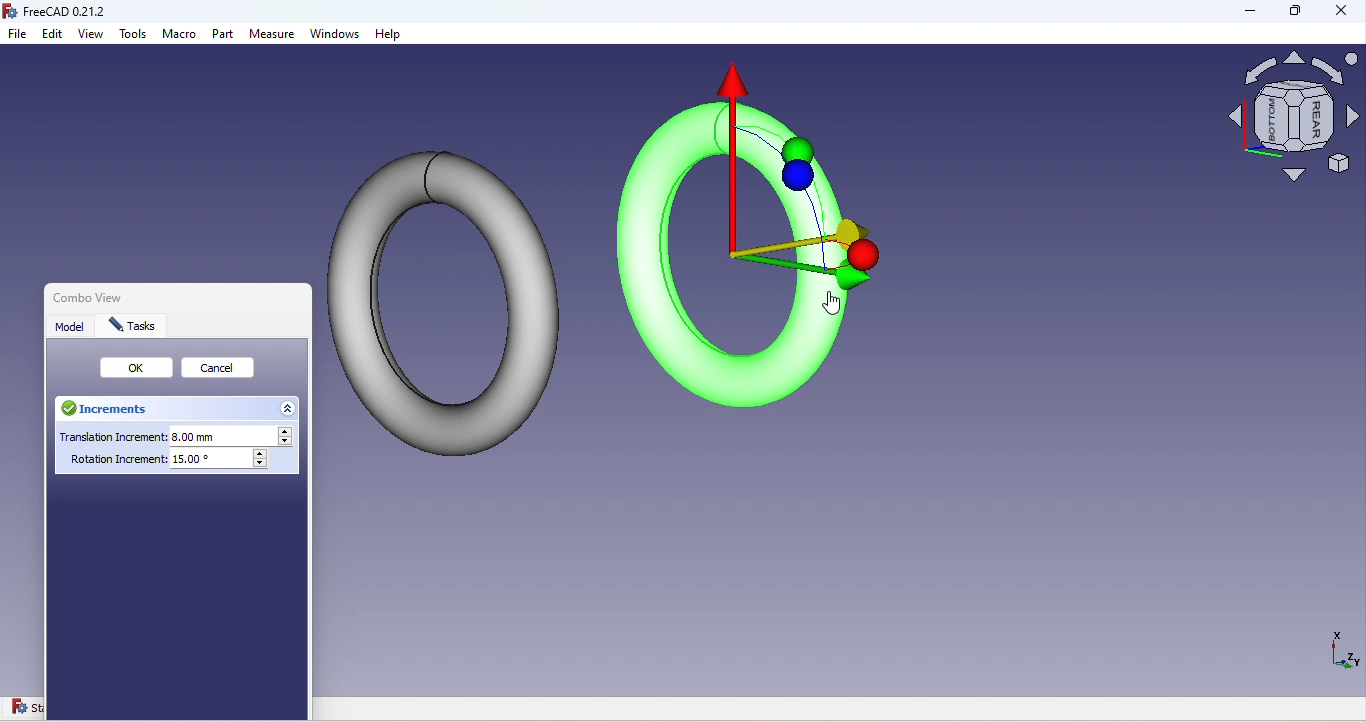 The width and height of the screenshot is (1366, 722). What do you see at coordinates (289, 407) in the screenshot?
I see `Hide increments` at bounding box center [289, 407].